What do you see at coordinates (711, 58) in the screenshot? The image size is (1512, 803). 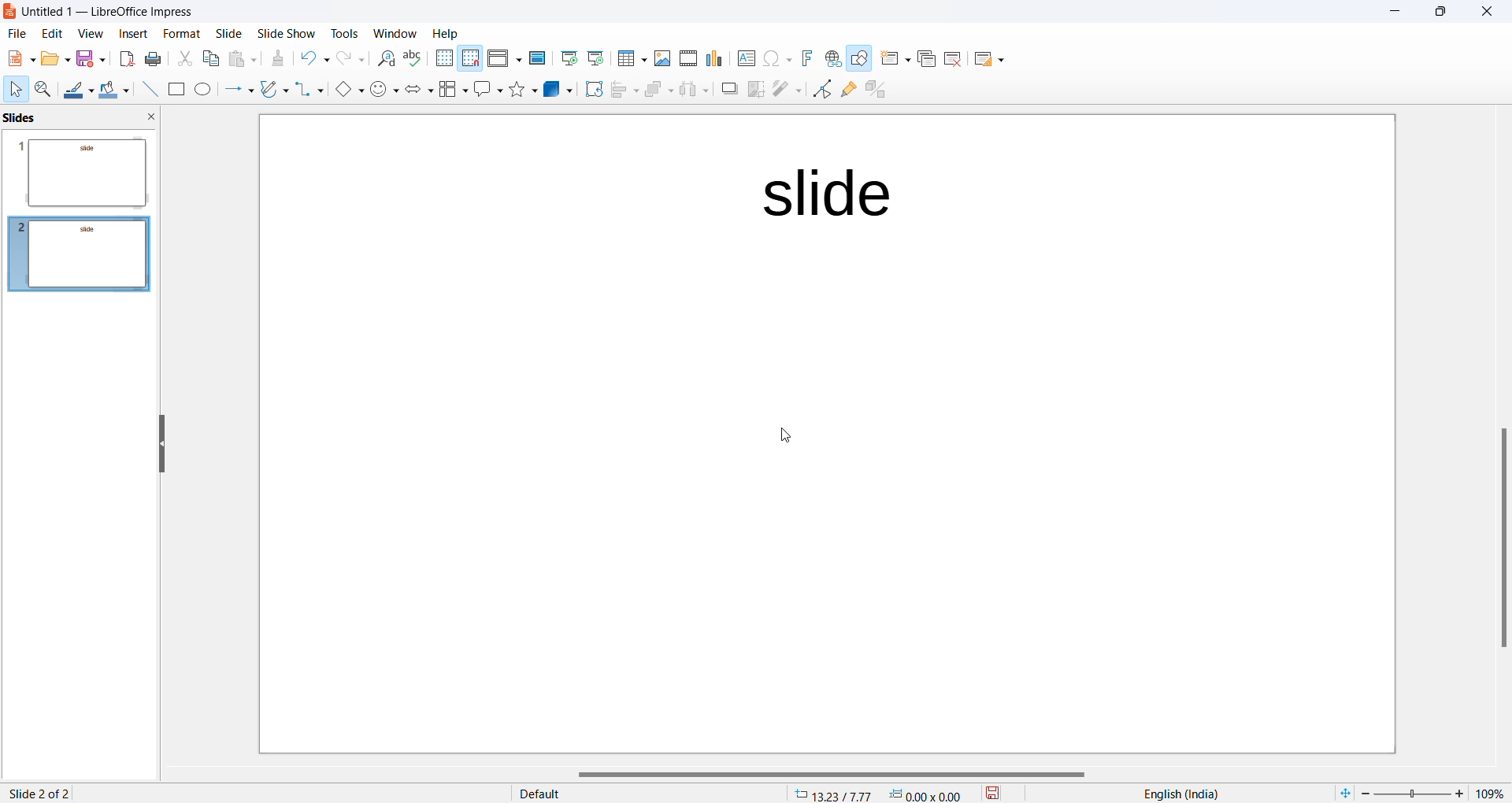 I see `Insert chart` at bounding box center [711, 58].